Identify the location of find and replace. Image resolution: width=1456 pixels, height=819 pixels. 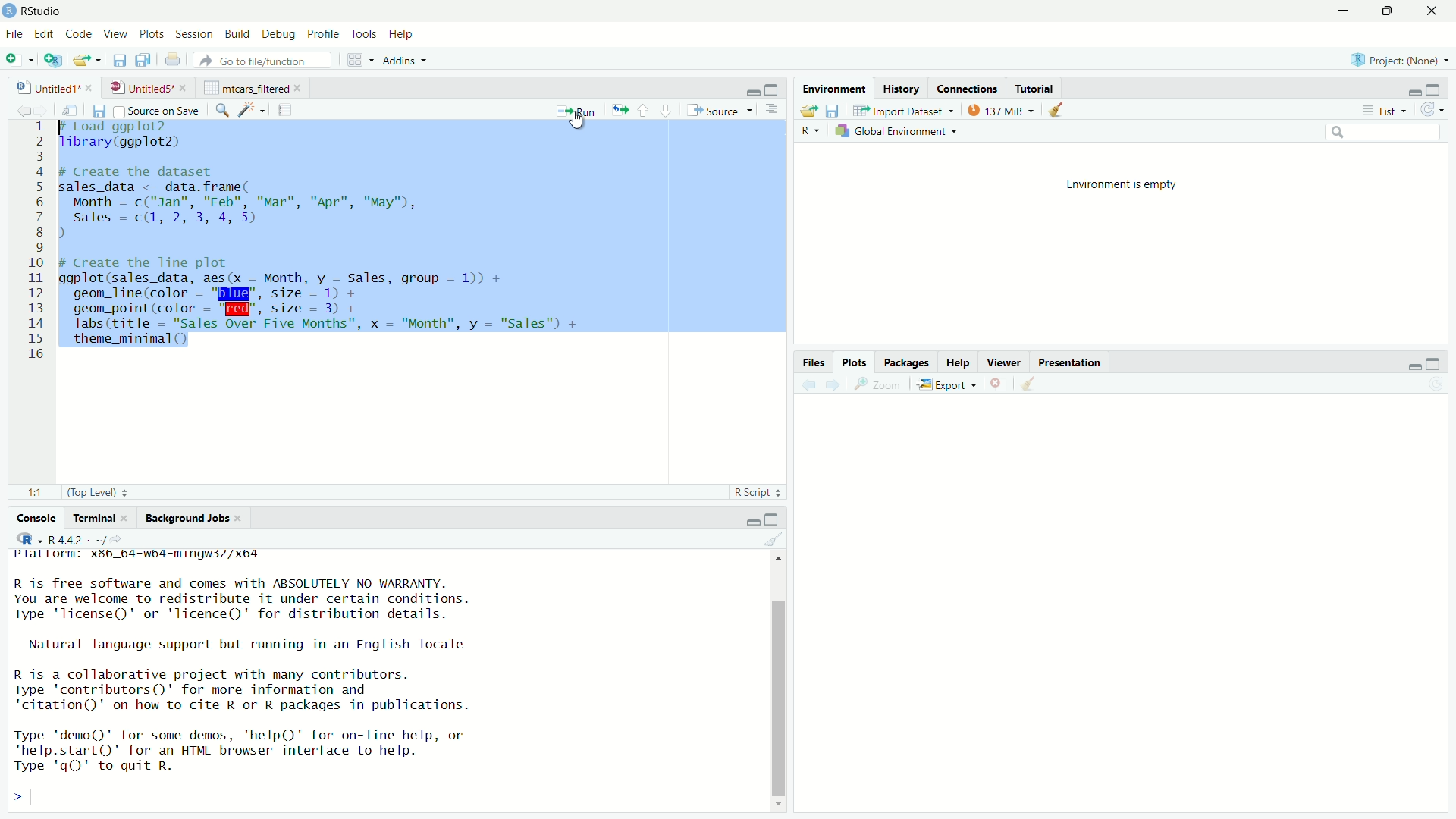
(222, 111).